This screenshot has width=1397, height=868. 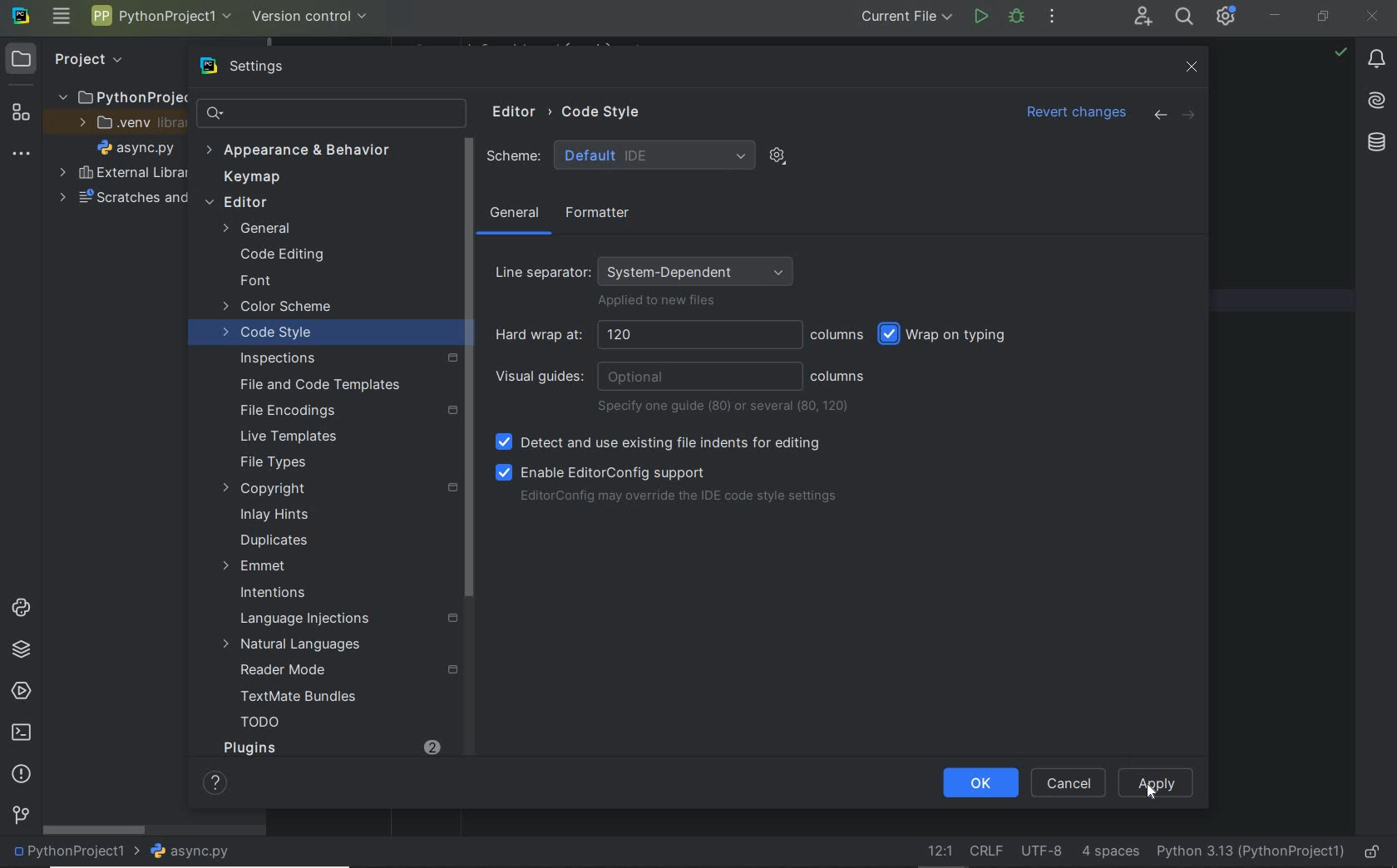 What do you see at coordinates (249, 747) in the screenshot?
I see `Plugins` at bounding box center [249, 747].